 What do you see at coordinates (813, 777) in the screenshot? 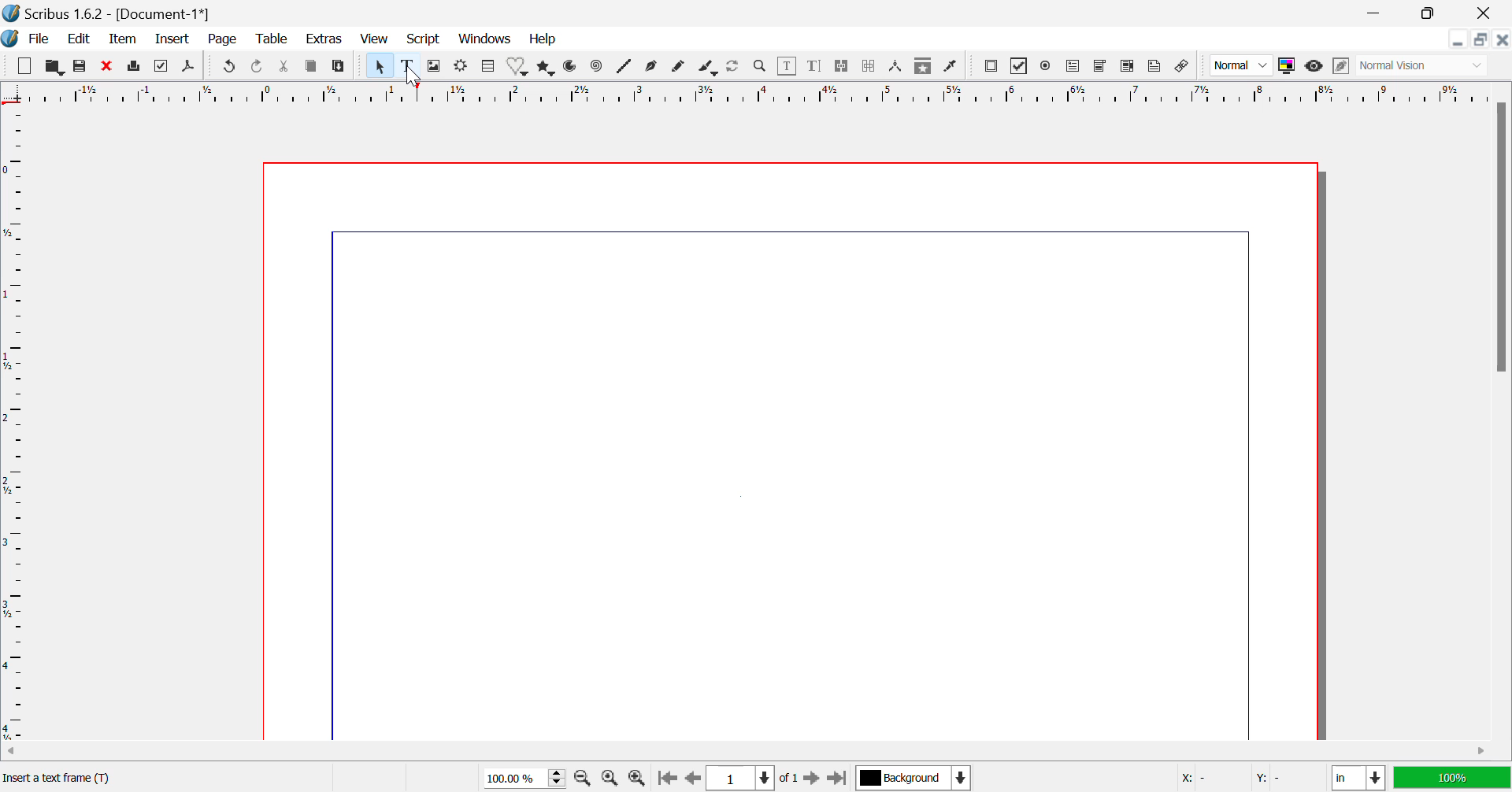
I see `Next Page` at bounding box center [813, 777].